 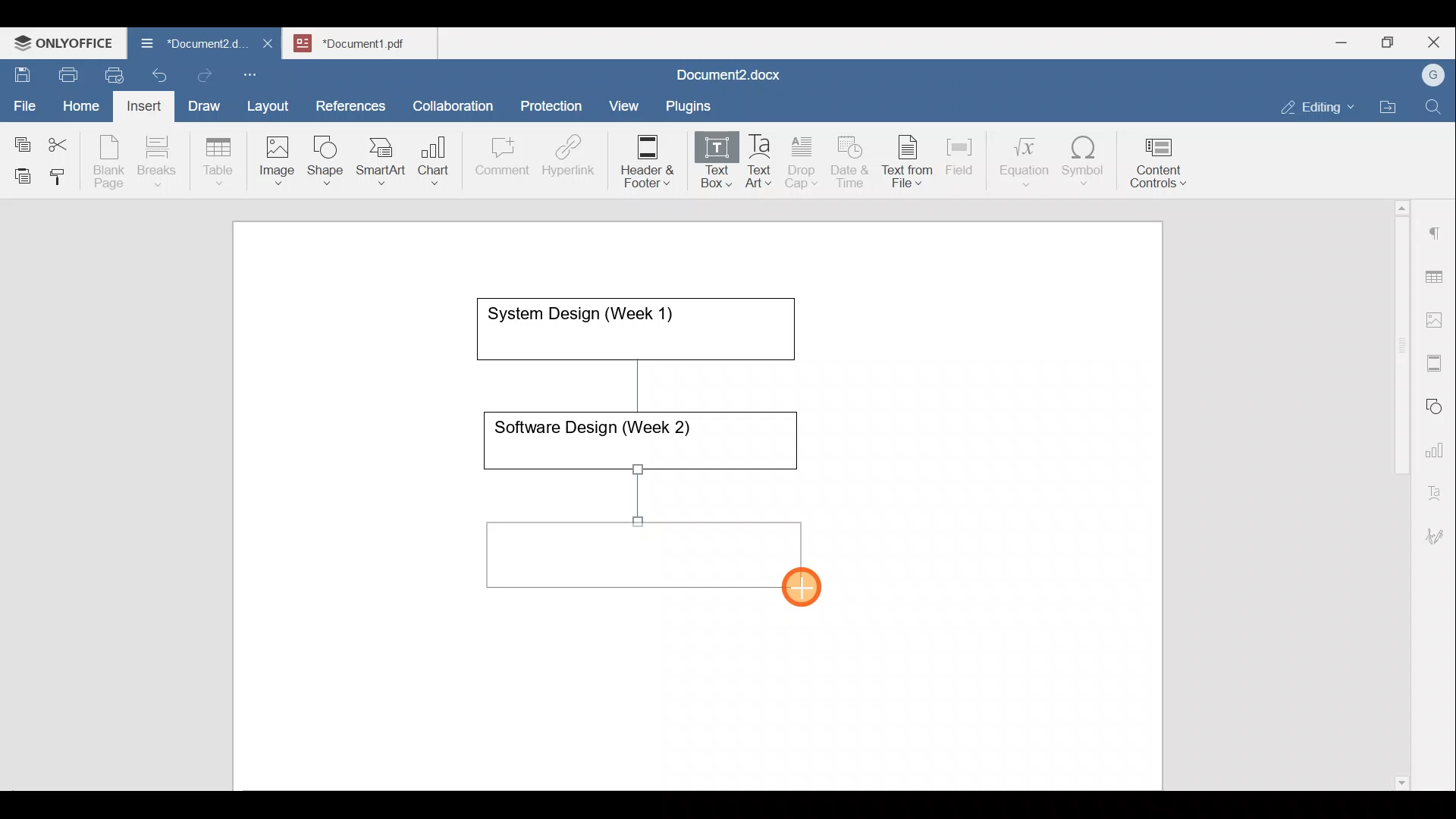 What do you see at coordinates (1437, 359) in the screenshot?
I see `Headers & footers` at bounding box center [1437, 359].